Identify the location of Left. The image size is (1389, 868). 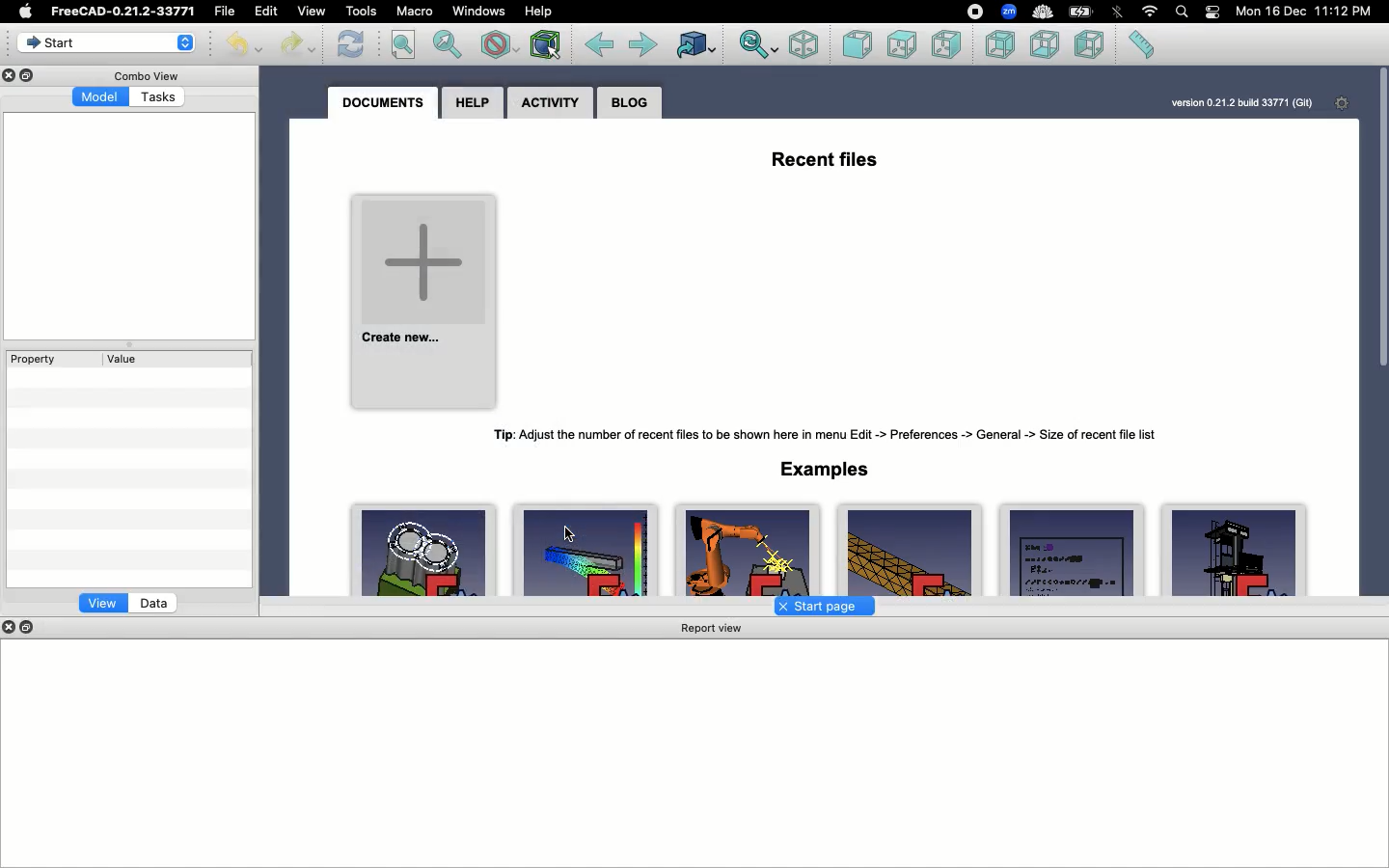
(1092, 46).